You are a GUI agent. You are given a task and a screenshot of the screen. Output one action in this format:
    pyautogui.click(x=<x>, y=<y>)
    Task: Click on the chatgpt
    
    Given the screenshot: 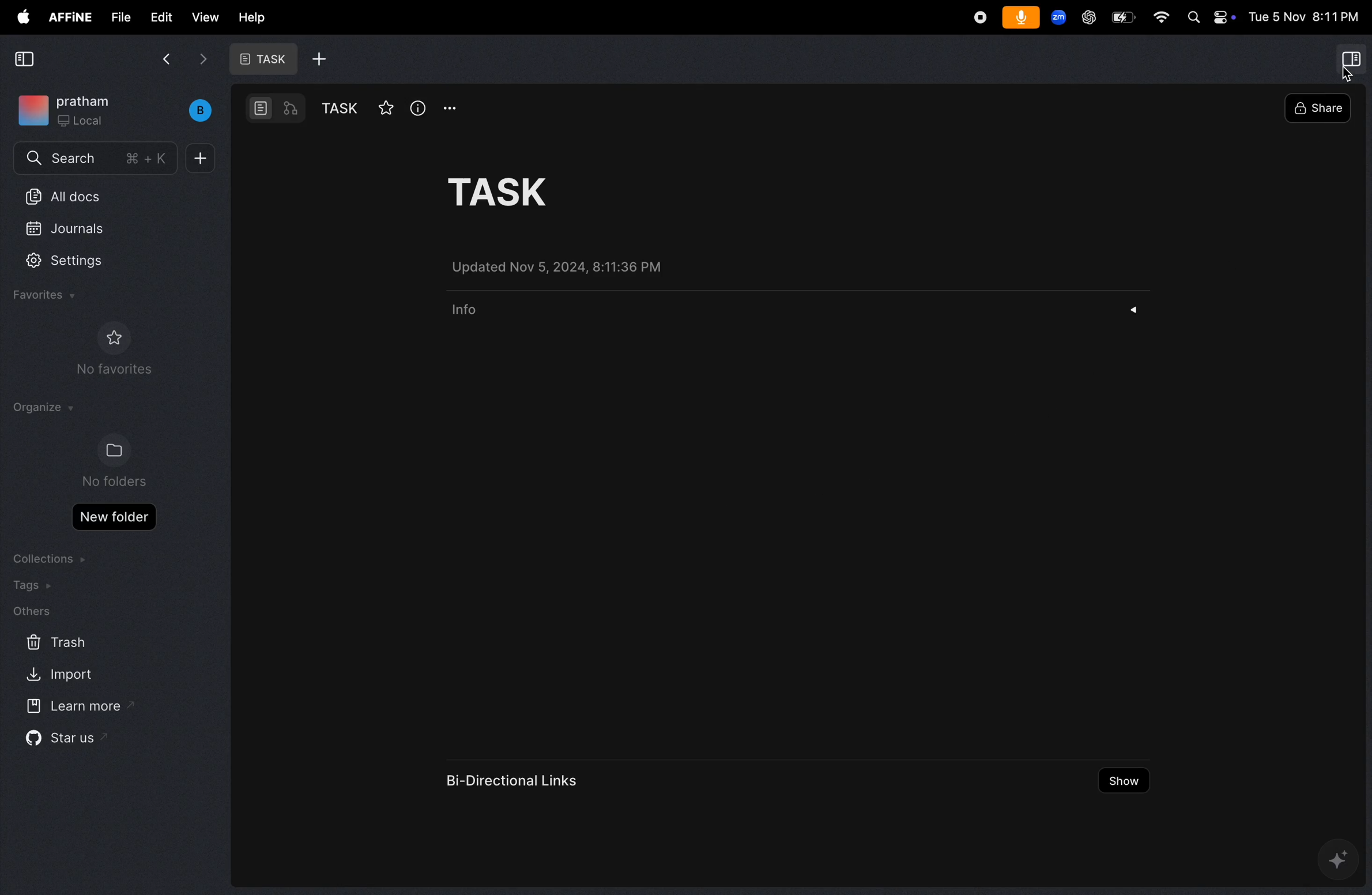 What is the action you would take?
    pyautogui.click(x=1085, y=17)
    